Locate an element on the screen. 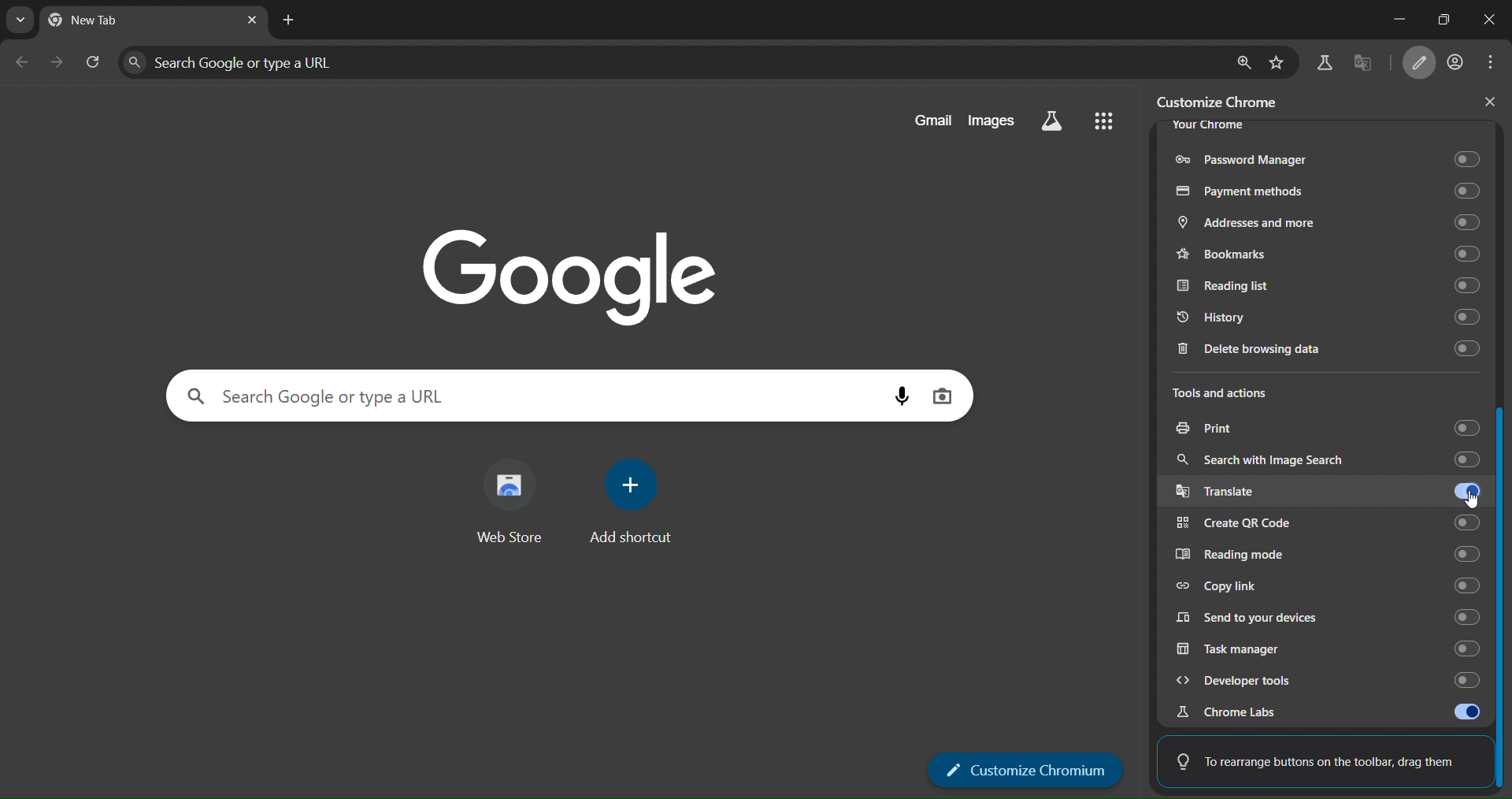 The width and height of the screenshot is (1512, 799). close is located at coordinates (1484, 104).